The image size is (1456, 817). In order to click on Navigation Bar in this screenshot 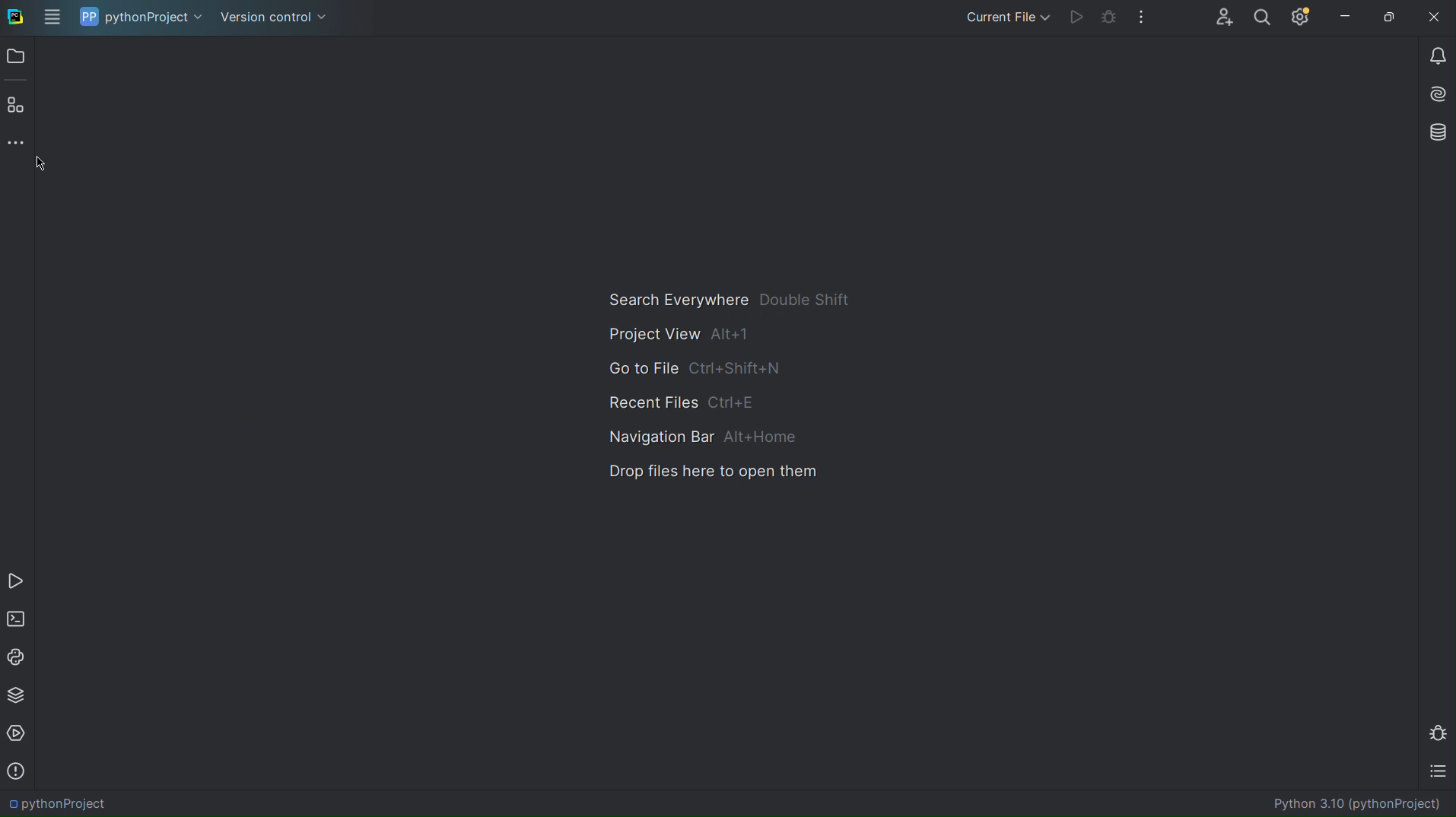, I will do `click(698, 434)`.